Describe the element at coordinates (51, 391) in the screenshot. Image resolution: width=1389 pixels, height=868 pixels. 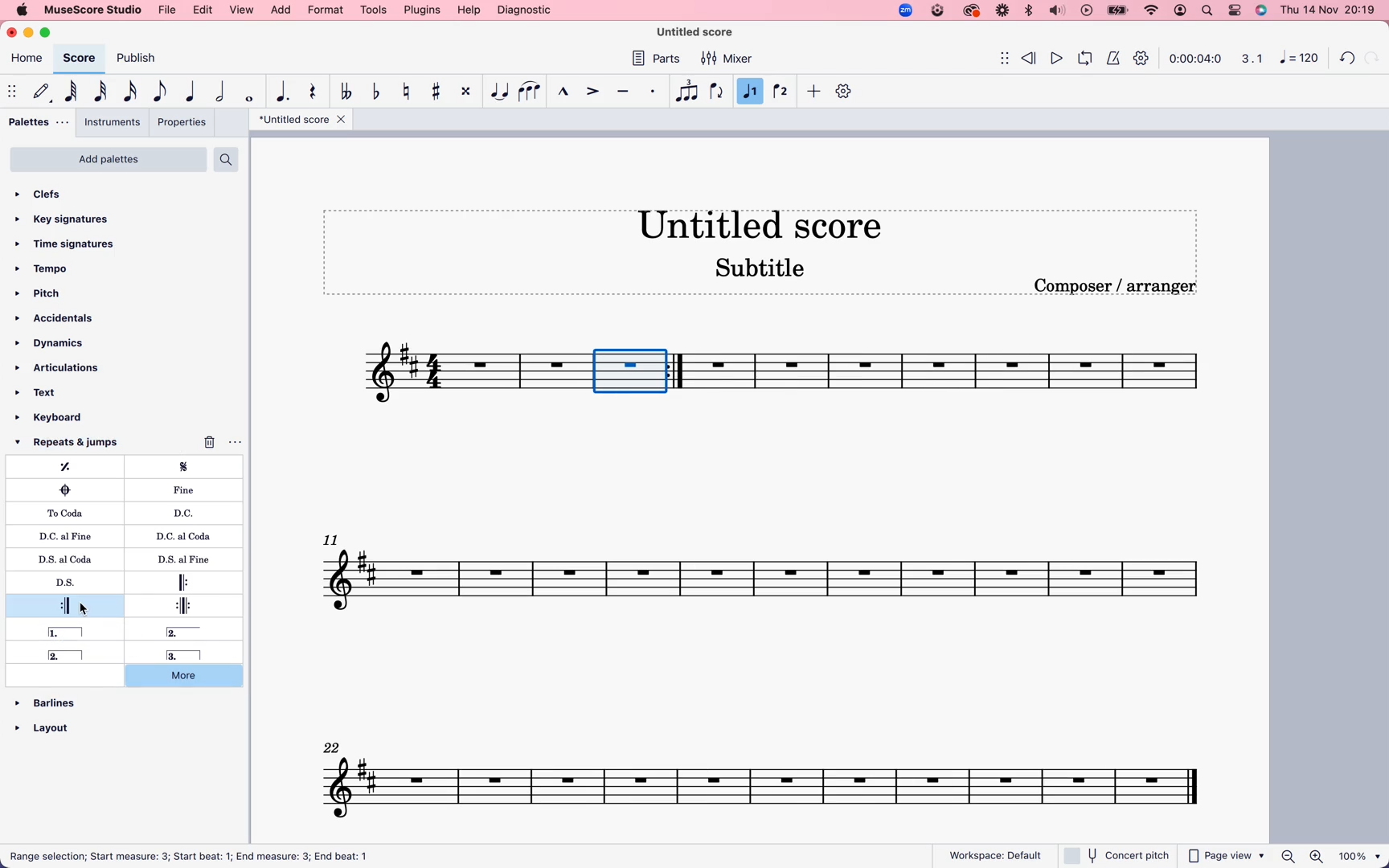
I see `text` at that location.